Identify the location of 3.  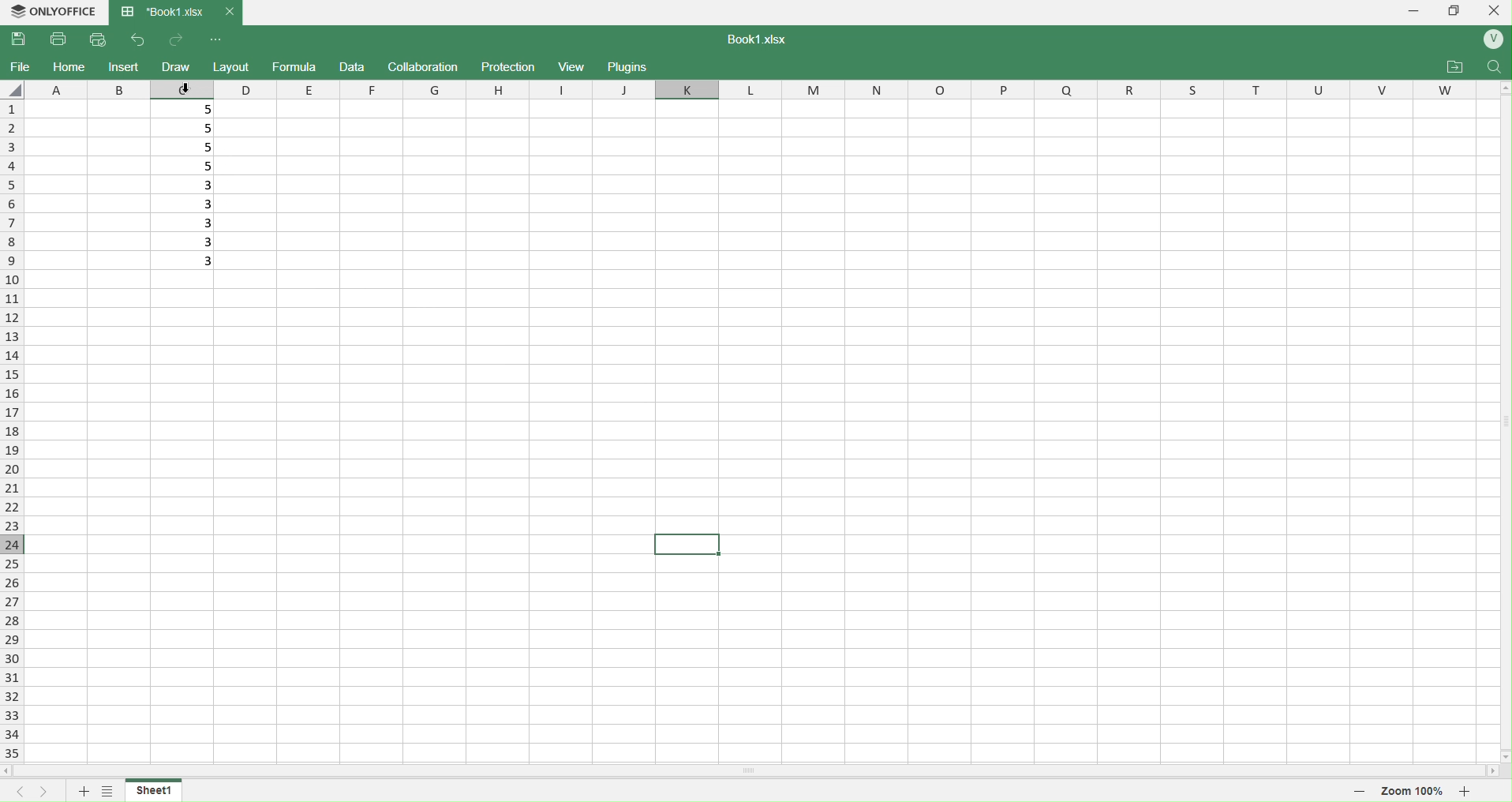
(191, 240).